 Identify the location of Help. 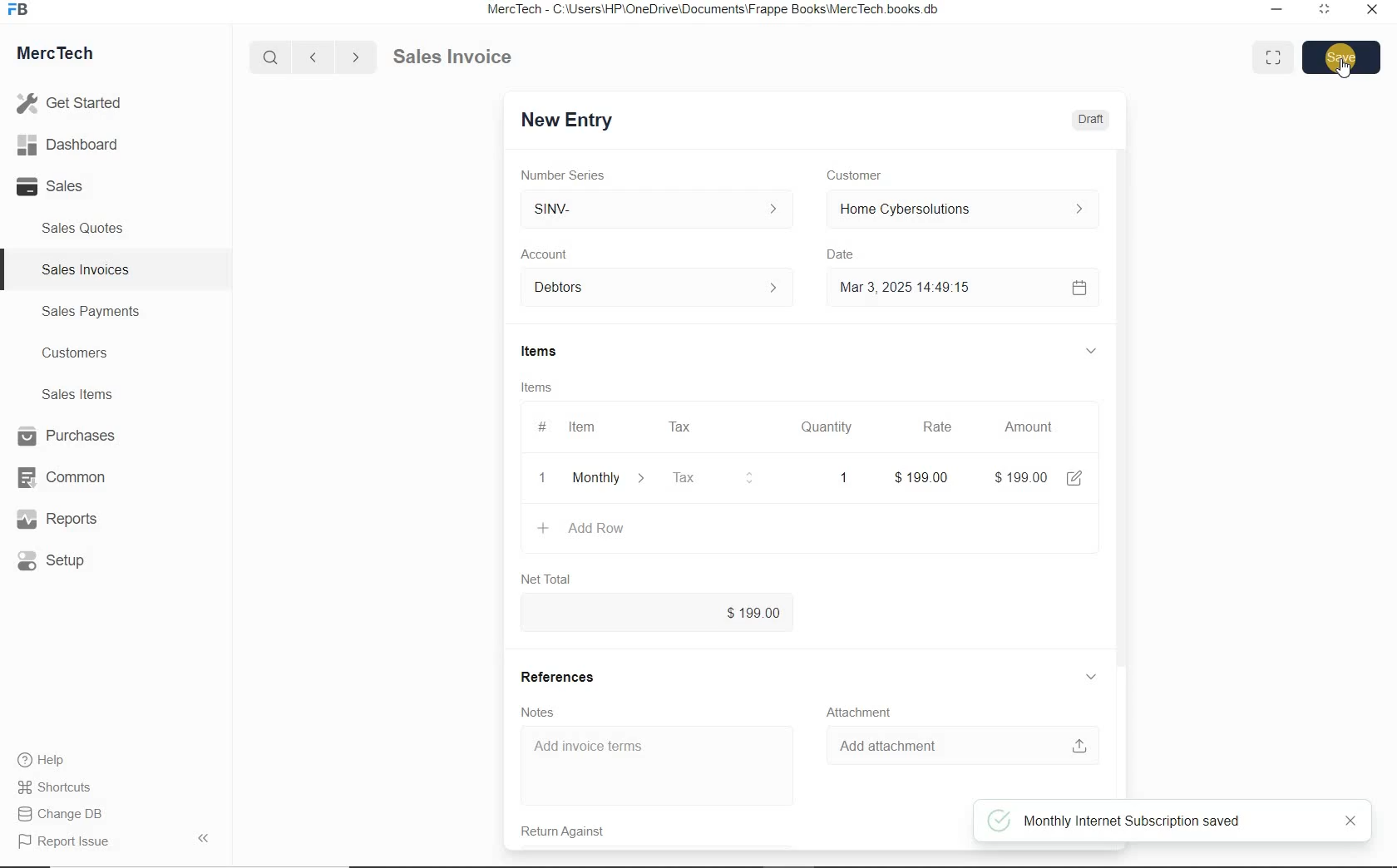
(50, 760).